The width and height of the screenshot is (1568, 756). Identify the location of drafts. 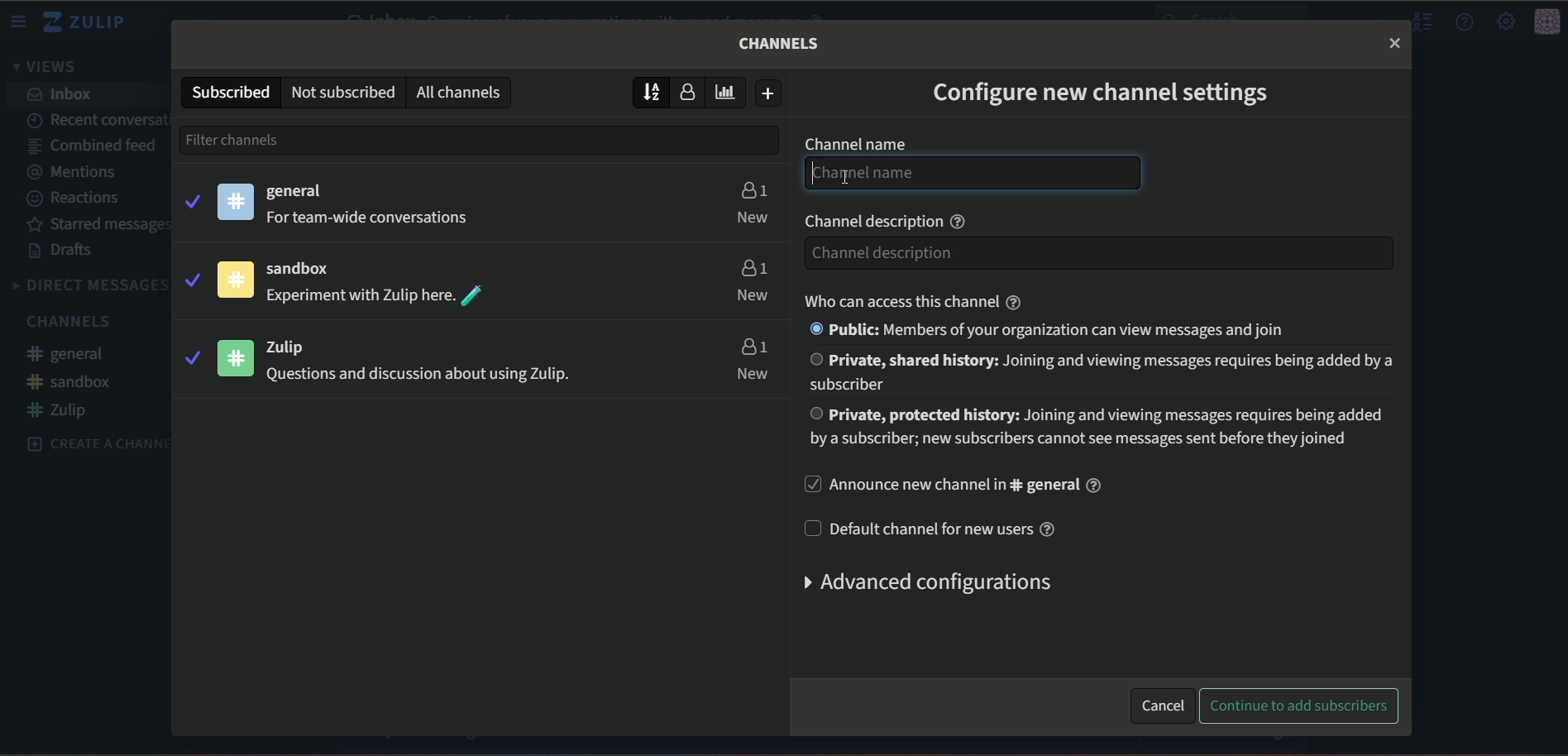
(64, 251).